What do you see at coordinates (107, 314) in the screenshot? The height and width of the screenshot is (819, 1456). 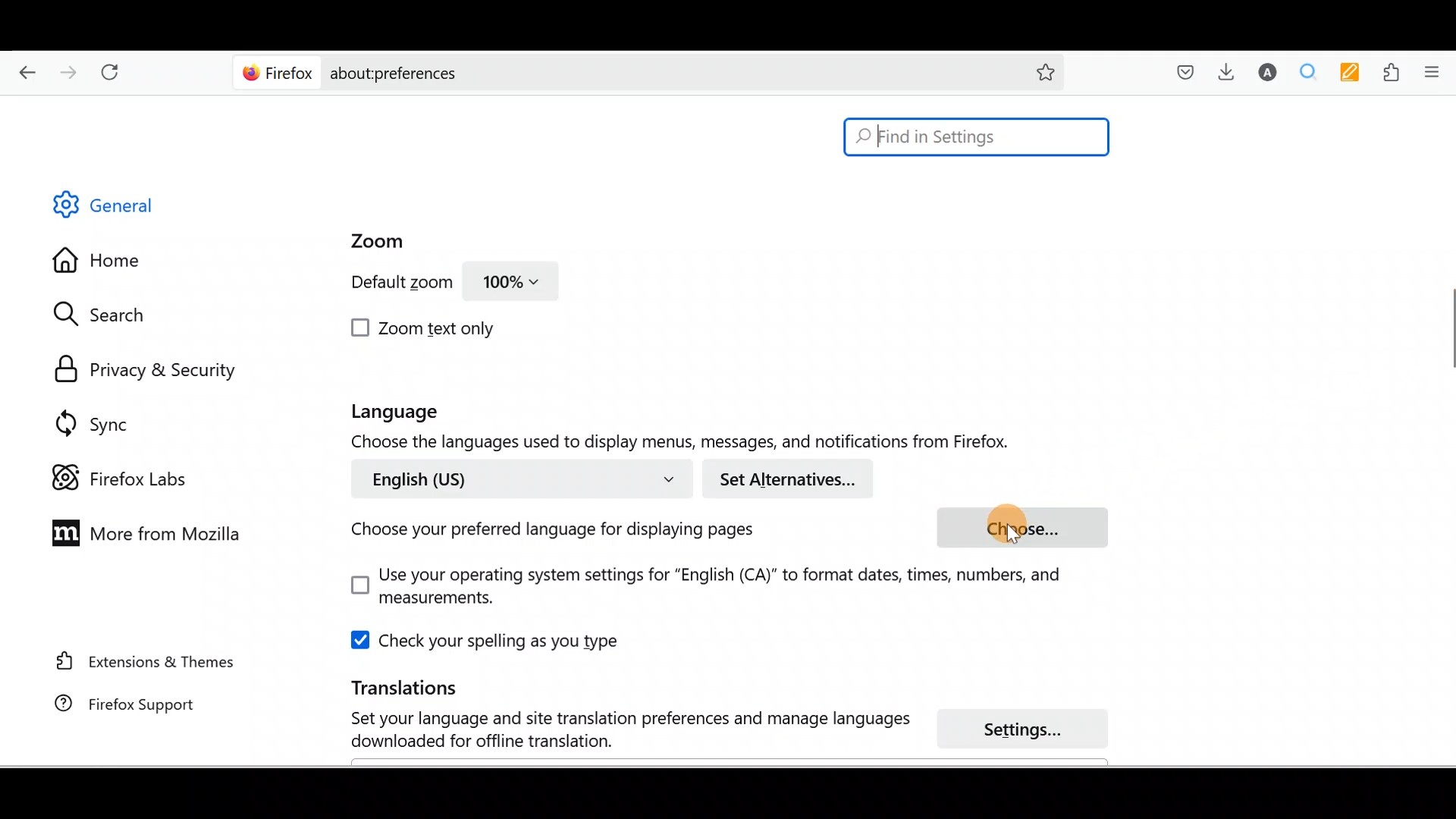 I see `Search` at bounding box center [107, 314].